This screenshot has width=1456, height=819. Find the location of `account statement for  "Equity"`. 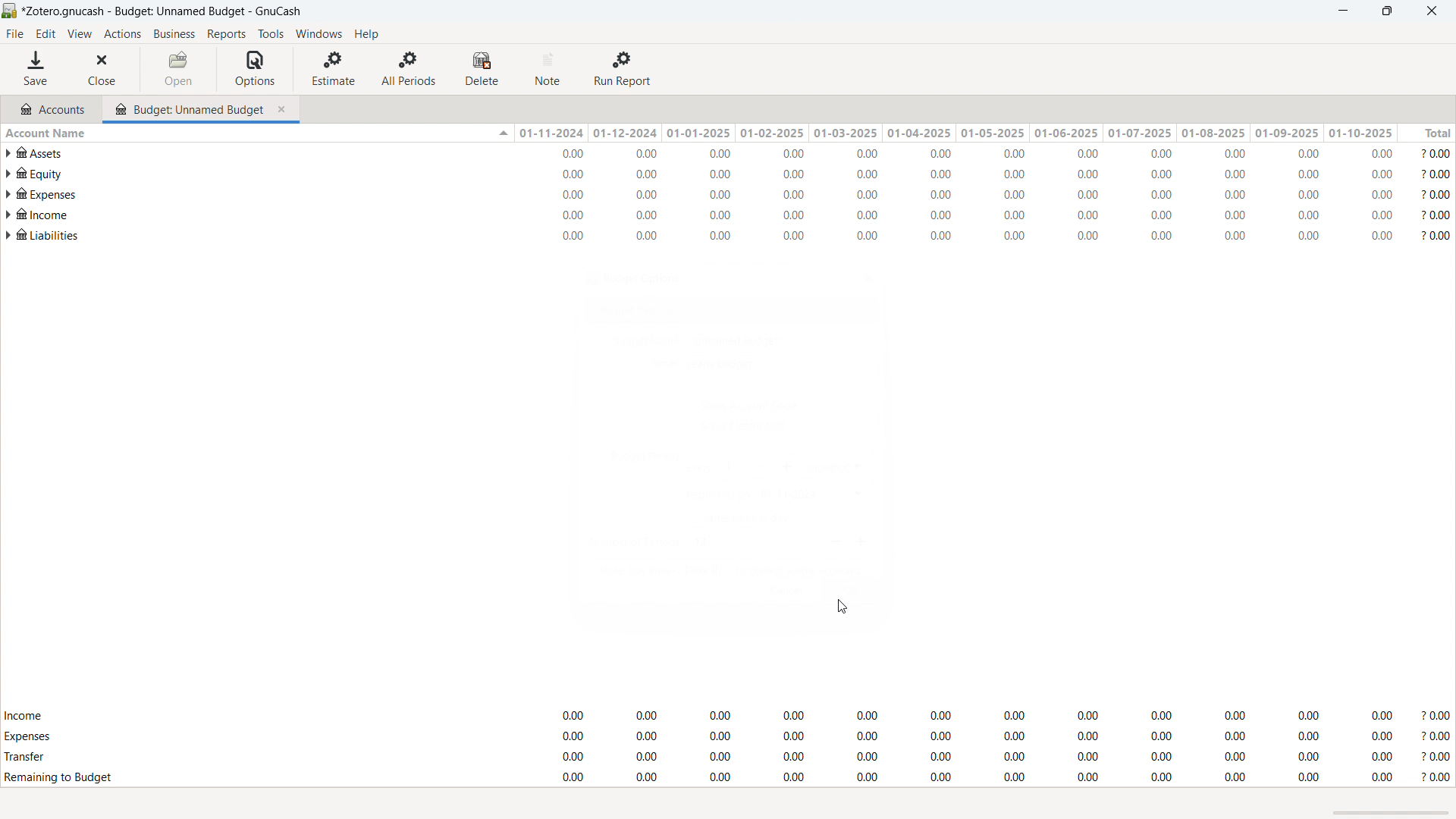

account statement for  "Equity" is located at coordinates (739, 174).